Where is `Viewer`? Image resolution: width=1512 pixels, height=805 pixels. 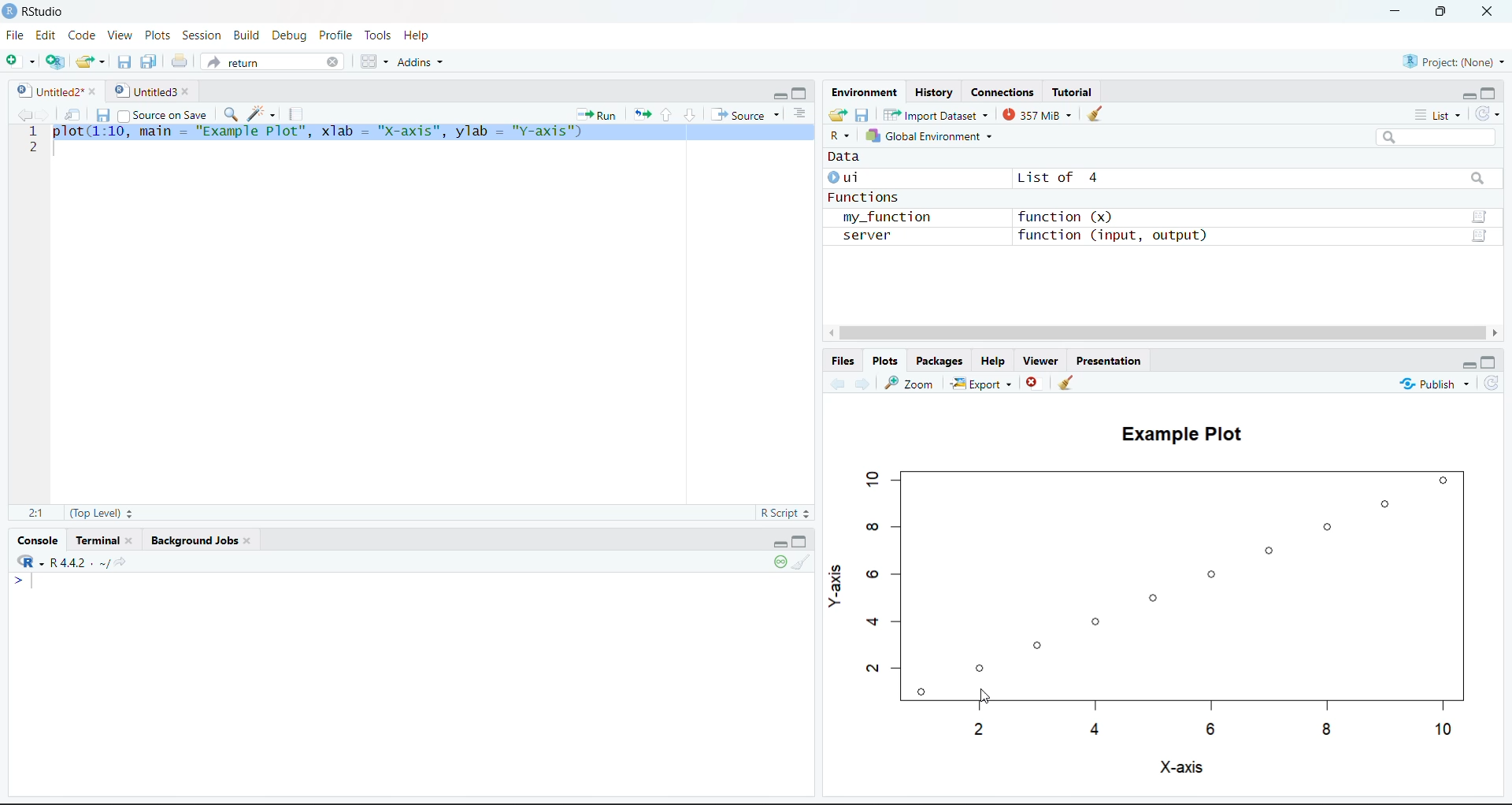 Viewer is located at coordinates (1040, 361).